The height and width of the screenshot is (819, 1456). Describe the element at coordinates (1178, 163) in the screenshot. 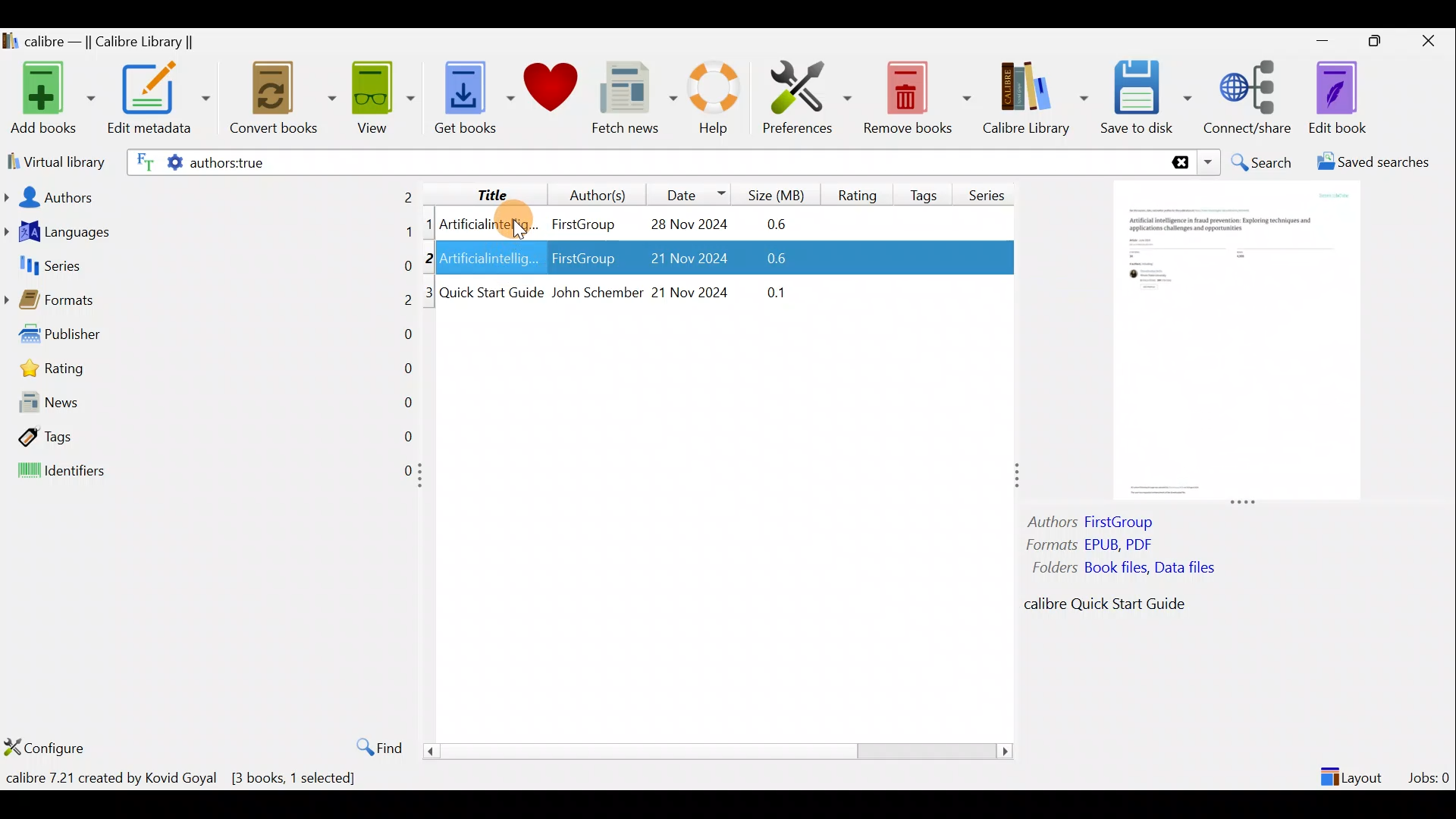

I see `Clear search result` at that location.